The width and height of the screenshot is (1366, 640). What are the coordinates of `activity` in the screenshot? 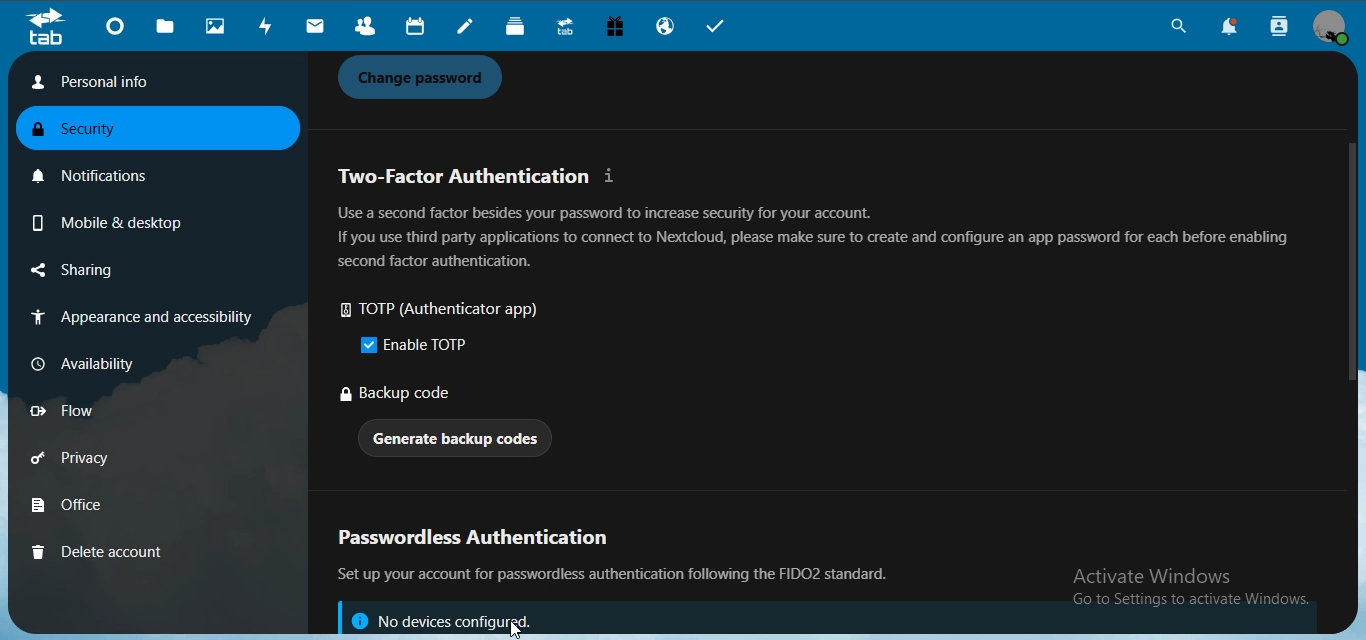 It's located at (269, 26).